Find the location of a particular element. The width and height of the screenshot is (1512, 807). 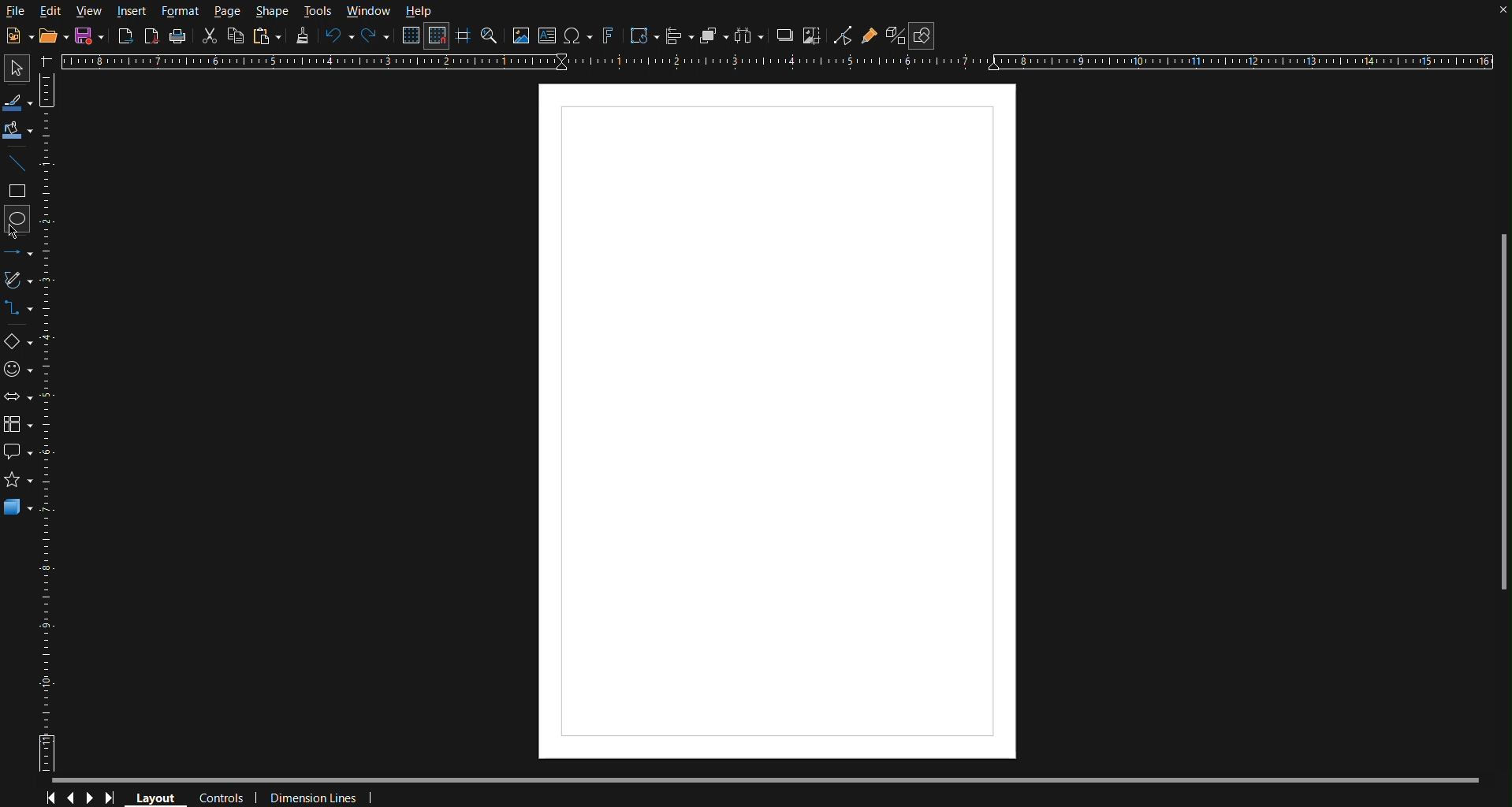

Insert Image is located at coordinates (522, 35).